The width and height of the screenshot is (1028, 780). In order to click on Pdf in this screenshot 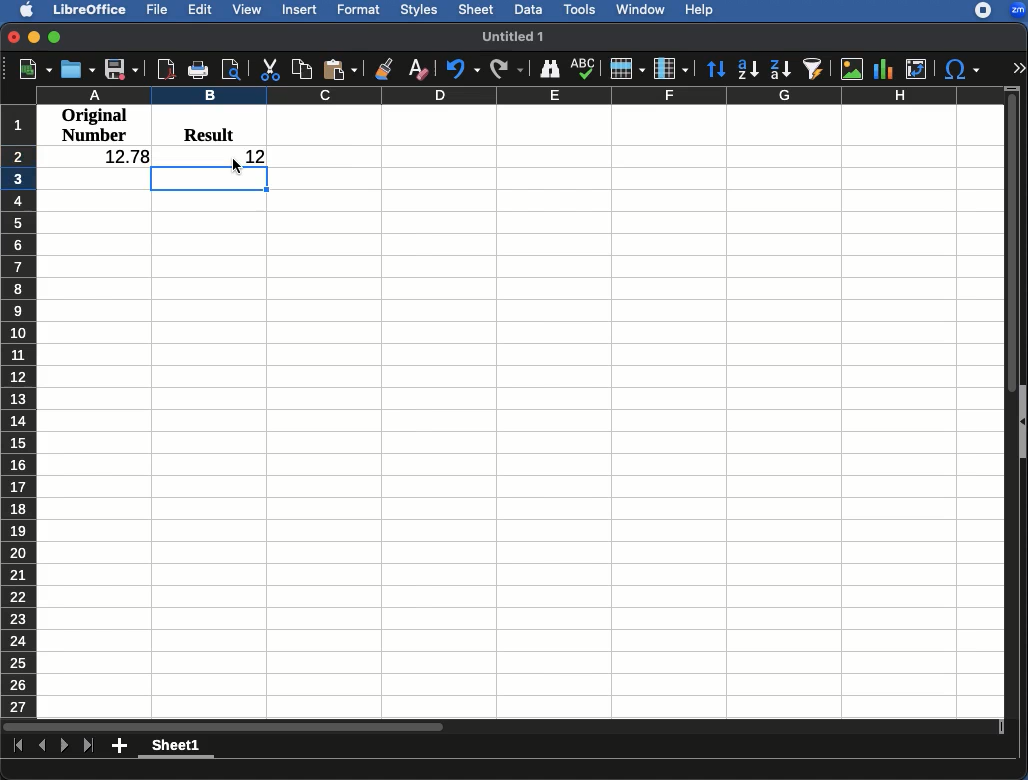, I will do `click(165, 68)`.